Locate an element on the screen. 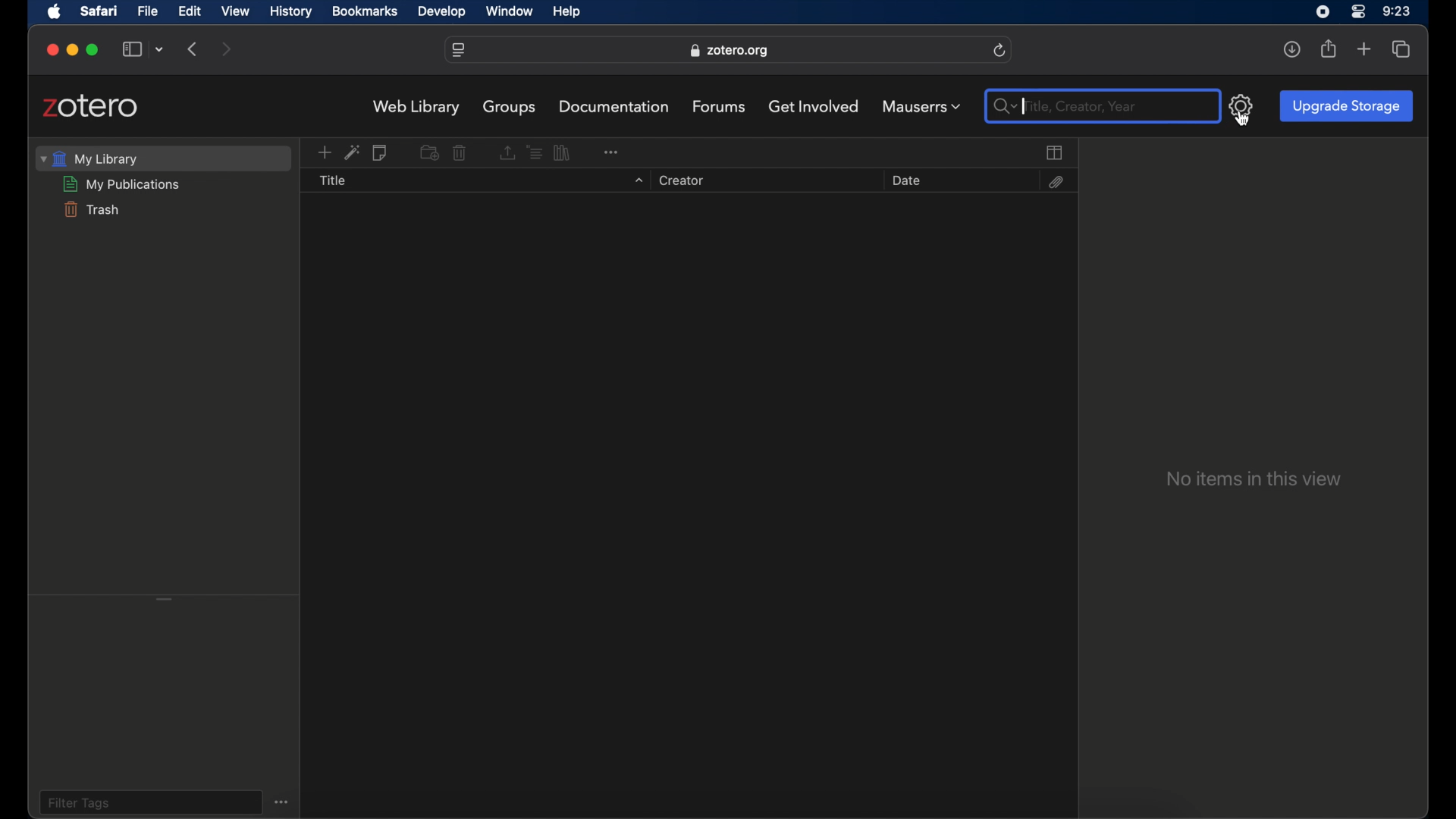  get involved is located at coordinates (814, 105).